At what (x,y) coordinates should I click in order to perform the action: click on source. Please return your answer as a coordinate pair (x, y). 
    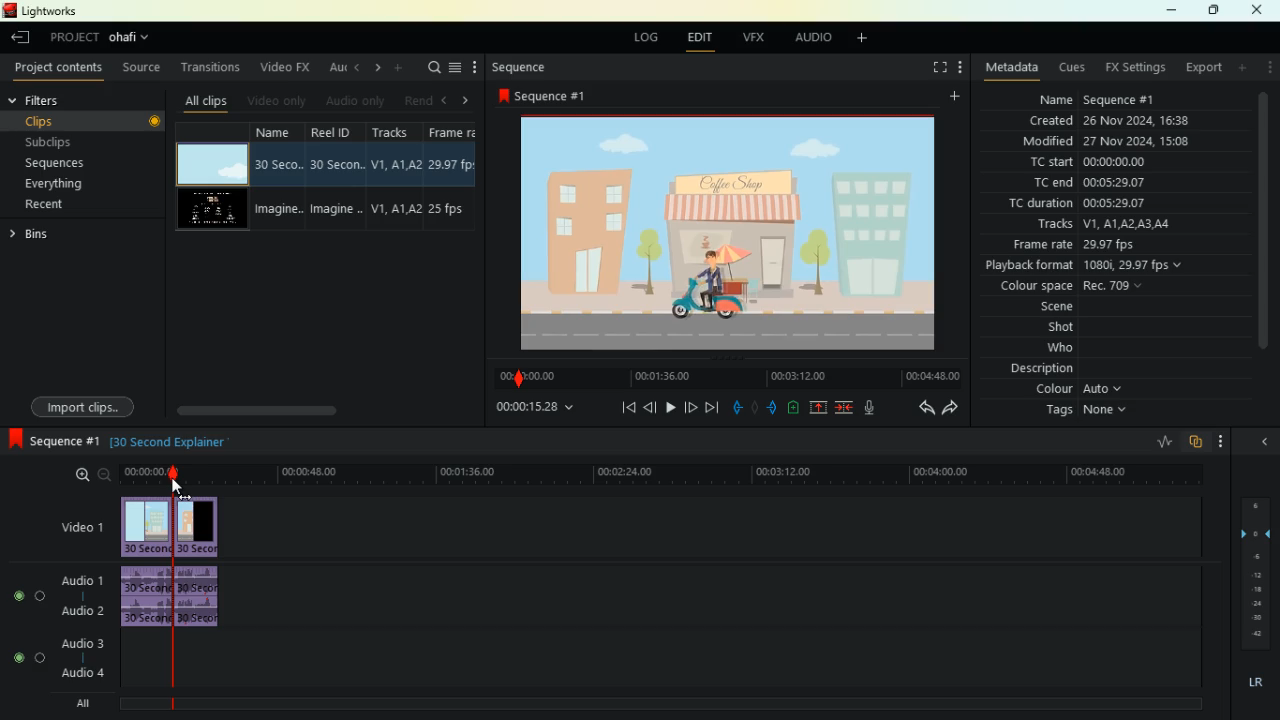
    Looking at the image, I should click on (145, 67).